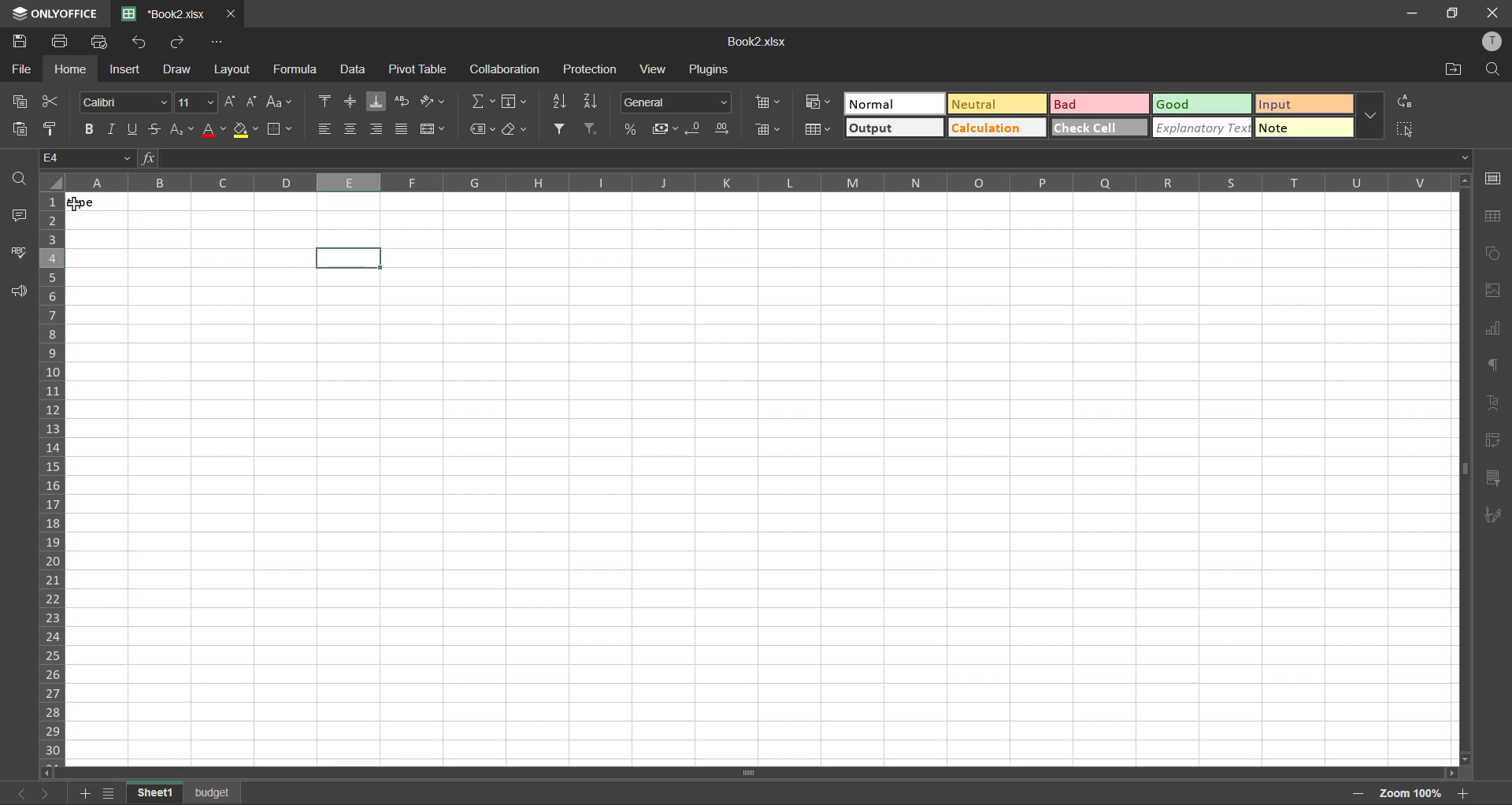  I want to click on filter, so click(559, 131).